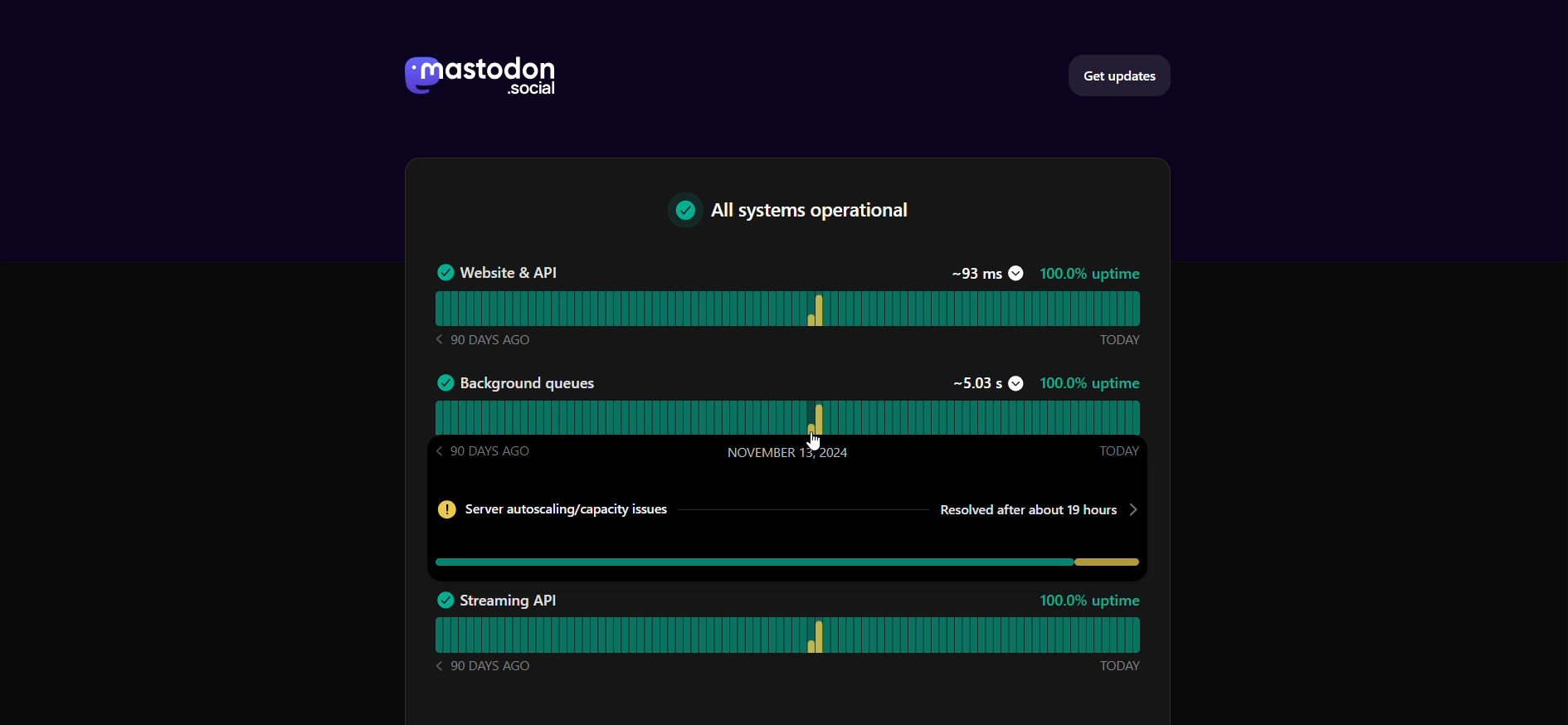  Describe the element at coordinates (1116, 450) in the screenshot. I see `Today` at that location.